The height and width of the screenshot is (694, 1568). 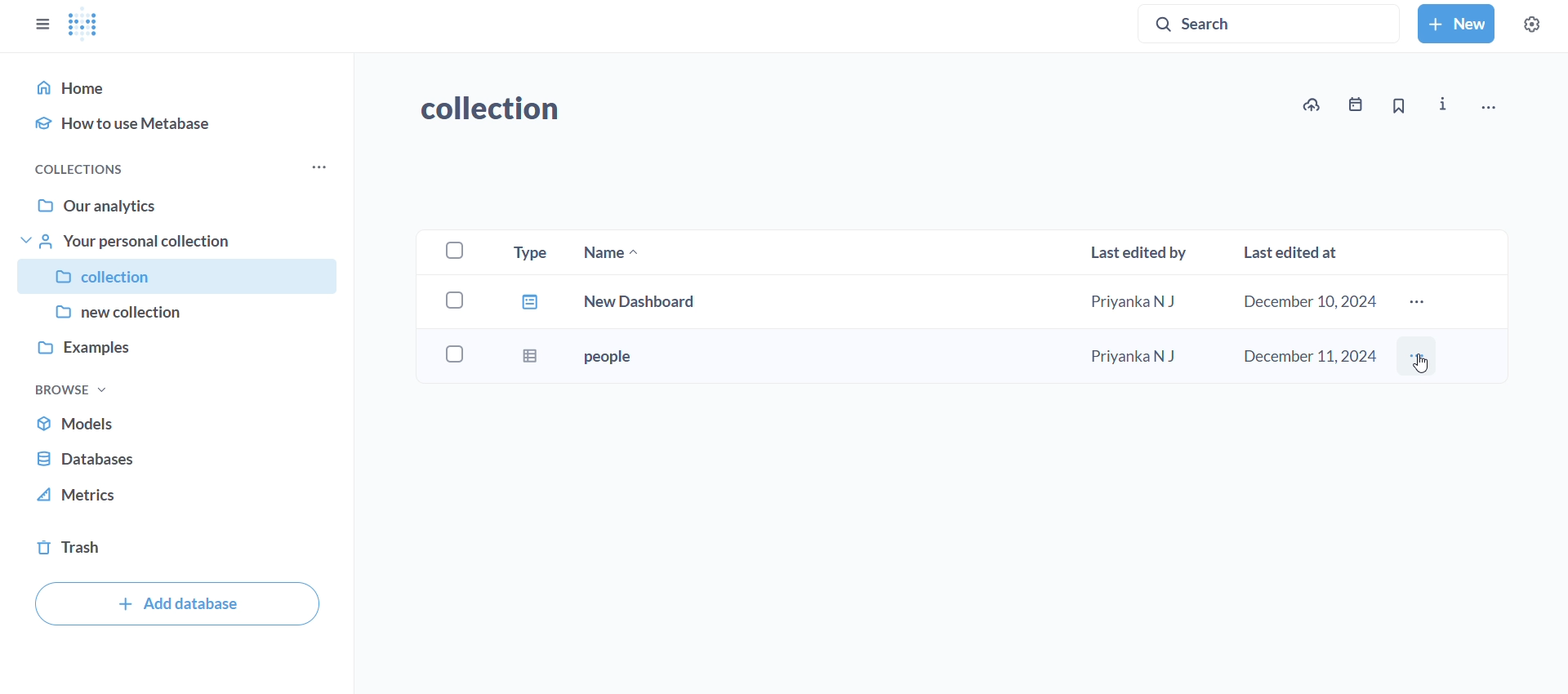 What do you see at coordinates (456, 296) in the screenshot?
I see `checkbox` at bounding box center [456, 296].